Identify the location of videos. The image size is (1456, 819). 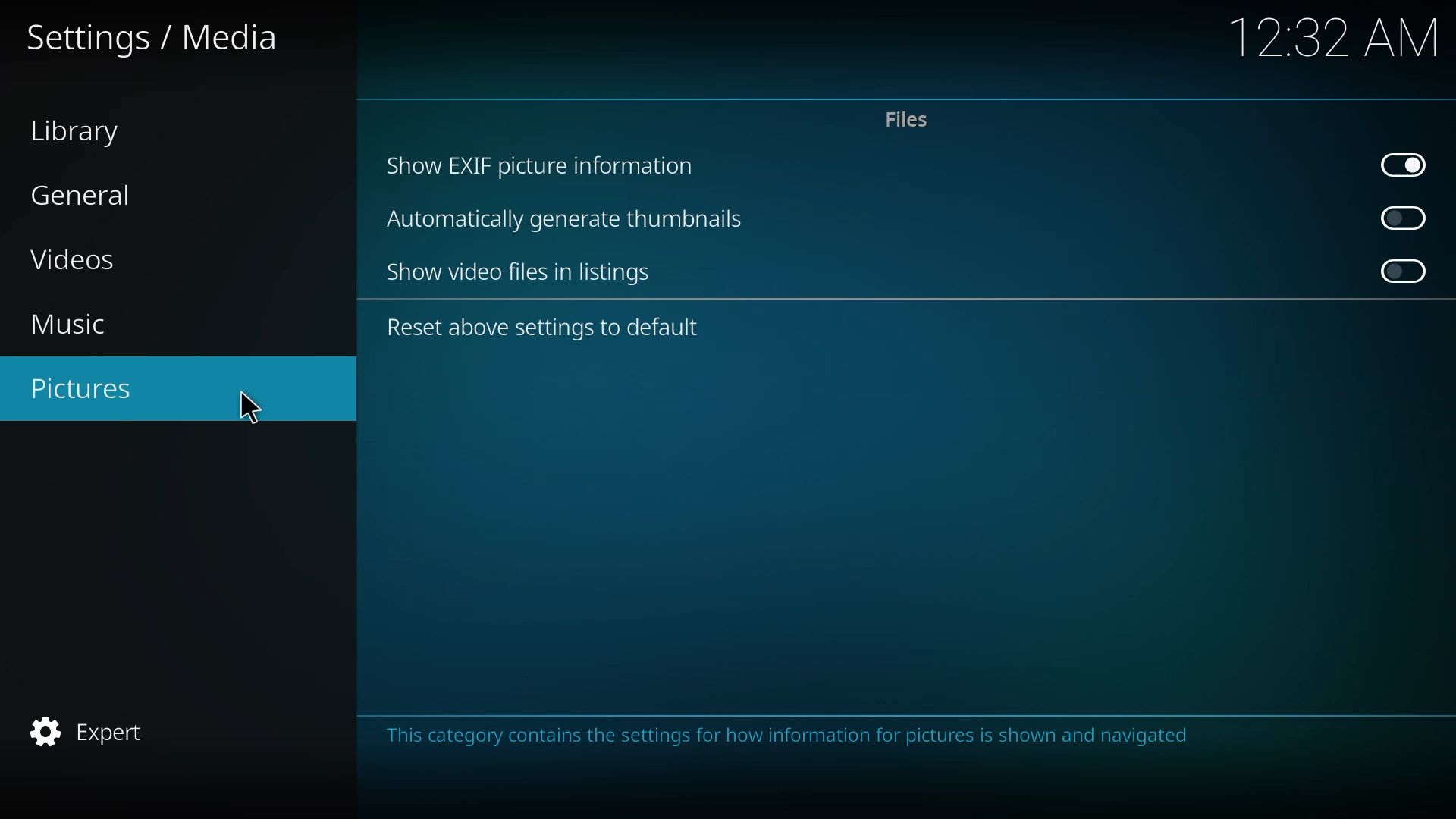
(80, 257).